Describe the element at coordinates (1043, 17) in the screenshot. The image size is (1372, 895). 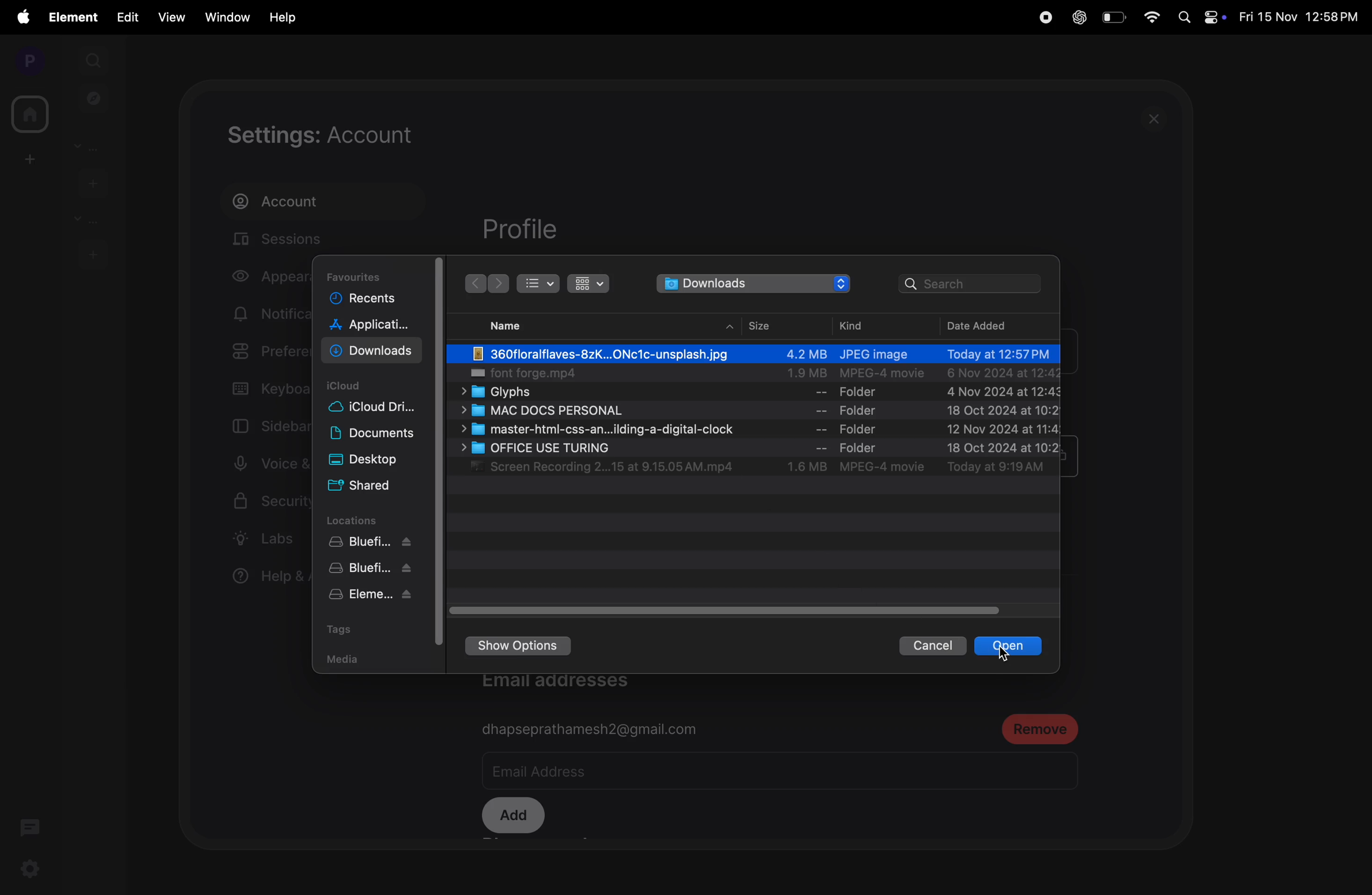
I see `record` at that location.